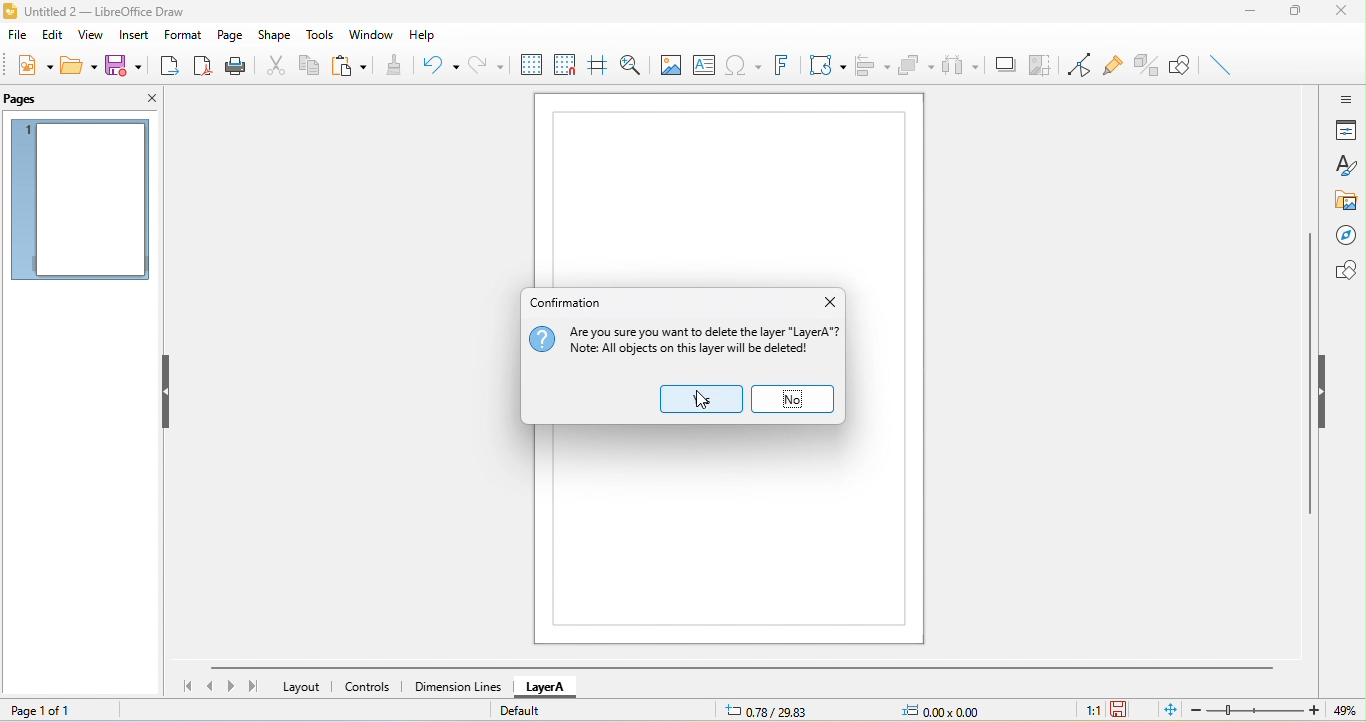  Describe the element at coordinates (125, 67) in the screenshot. I see `save` at that location.